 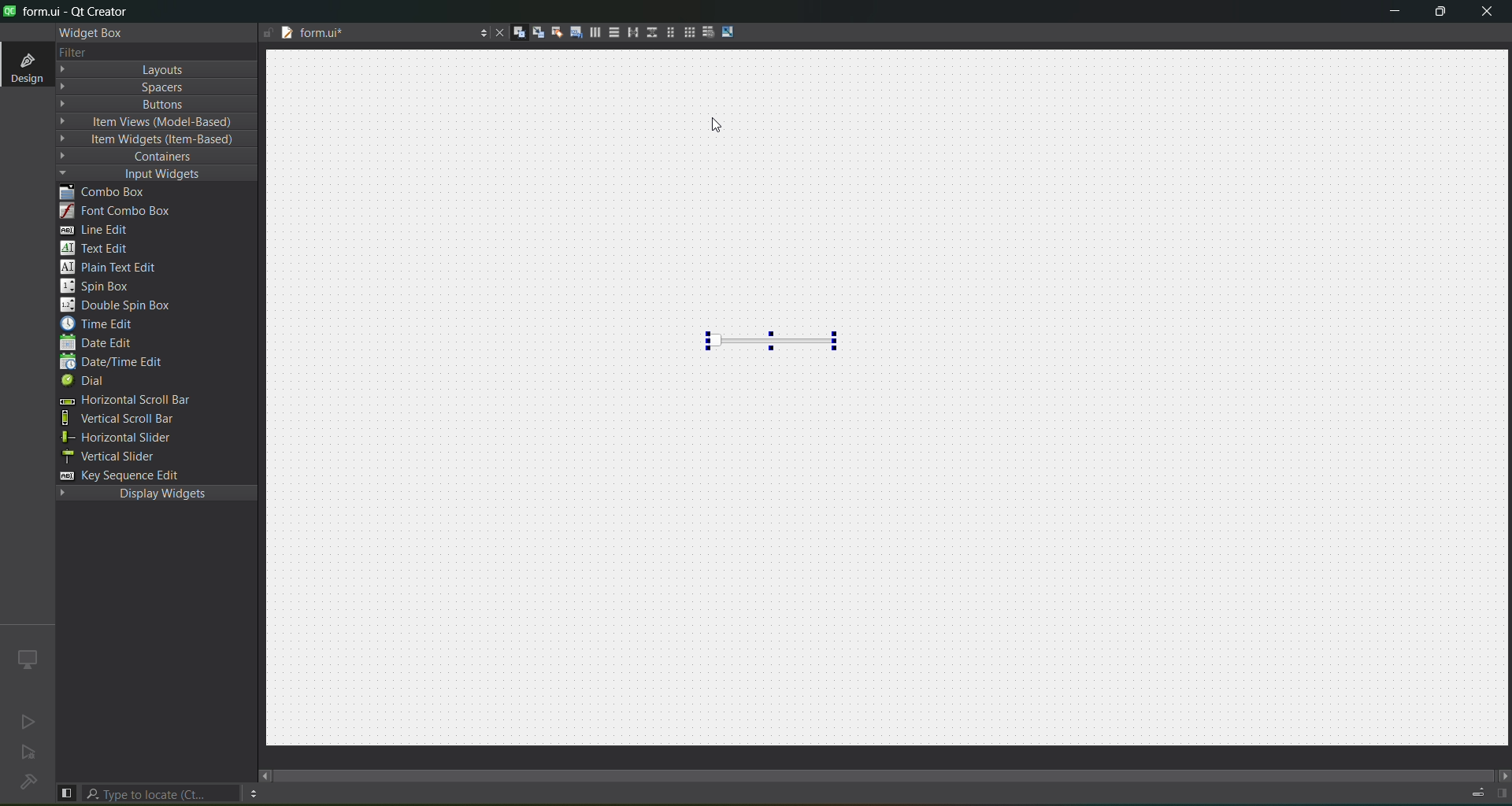 I want to click on containers, so click(x=141, y=157).